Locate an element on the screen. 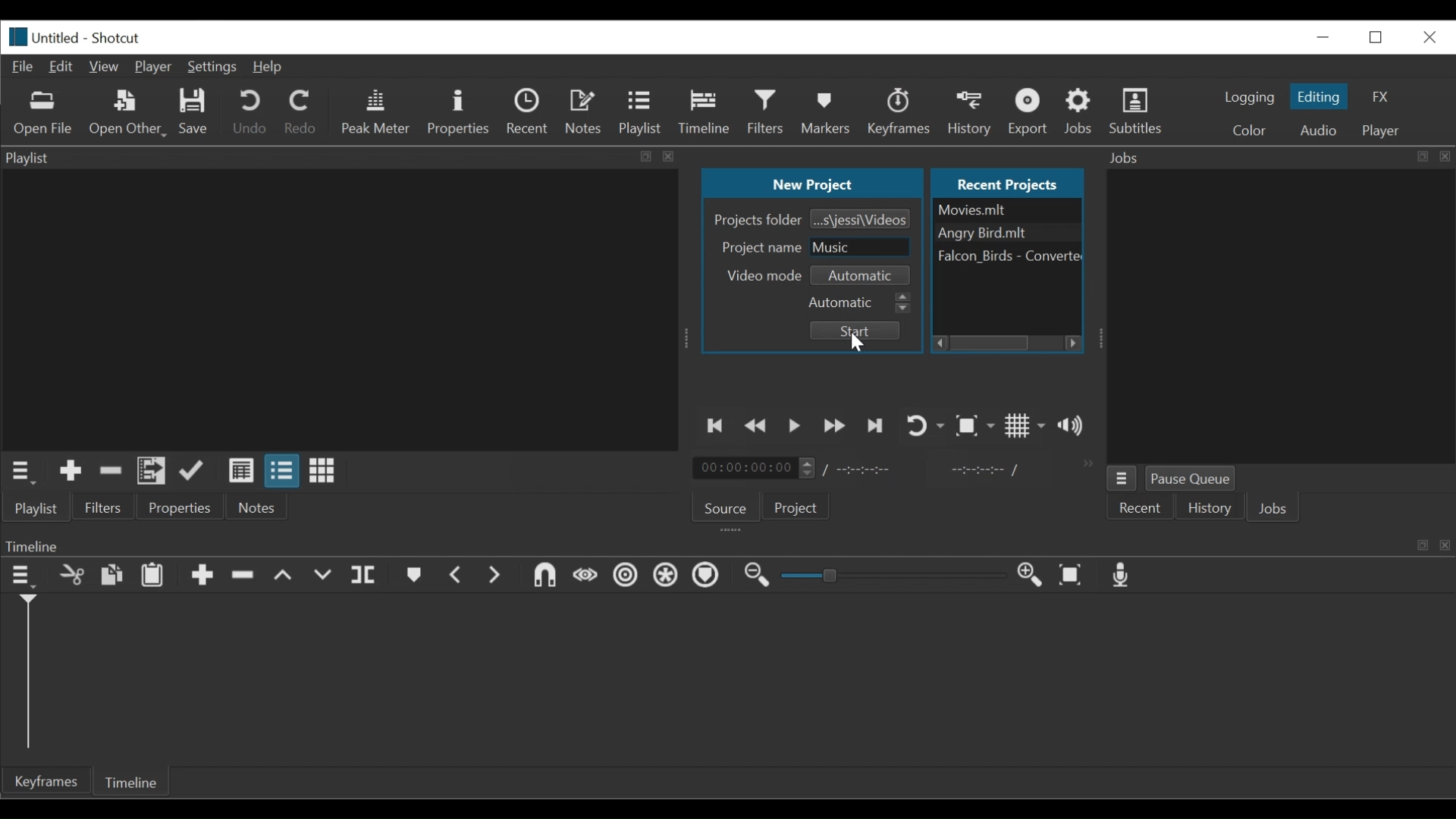 The height and width of the screenshot is (819, 1456). FX is located at coordinates (1378, 96).